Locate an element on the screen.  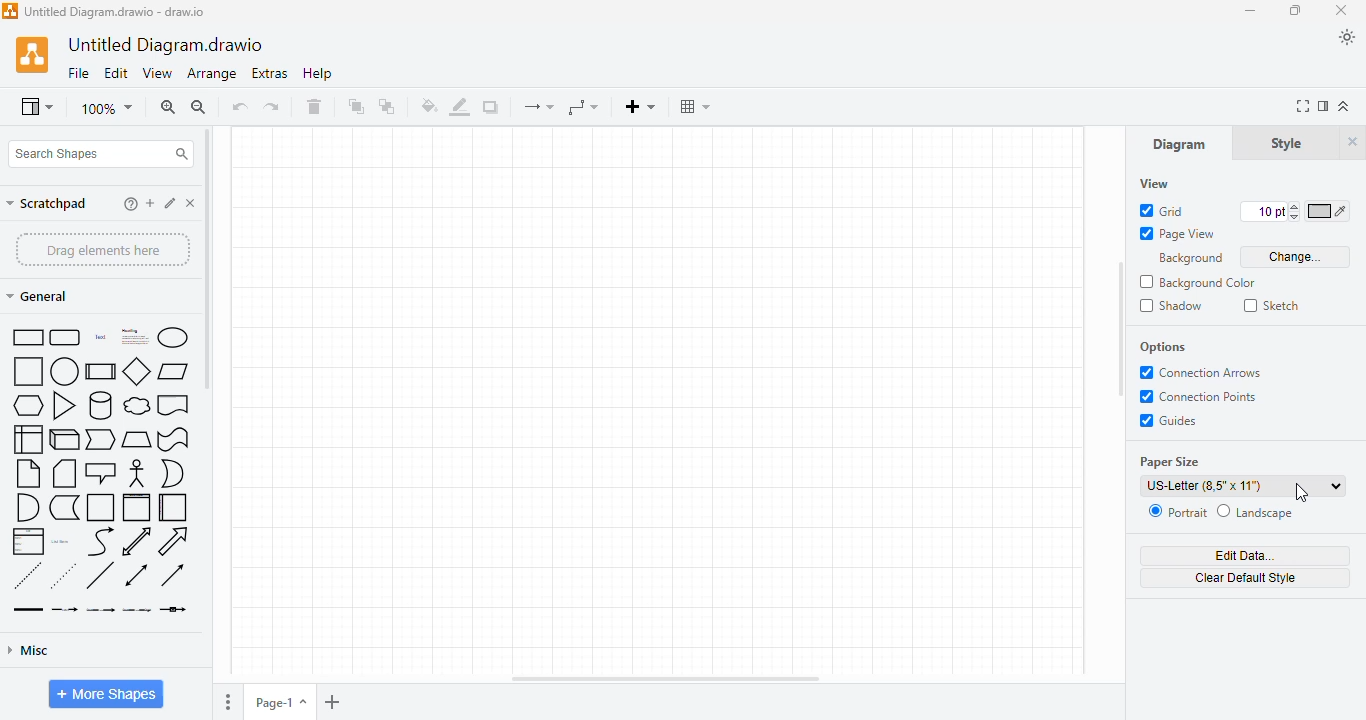
edit is located at coordinates (116, 73).